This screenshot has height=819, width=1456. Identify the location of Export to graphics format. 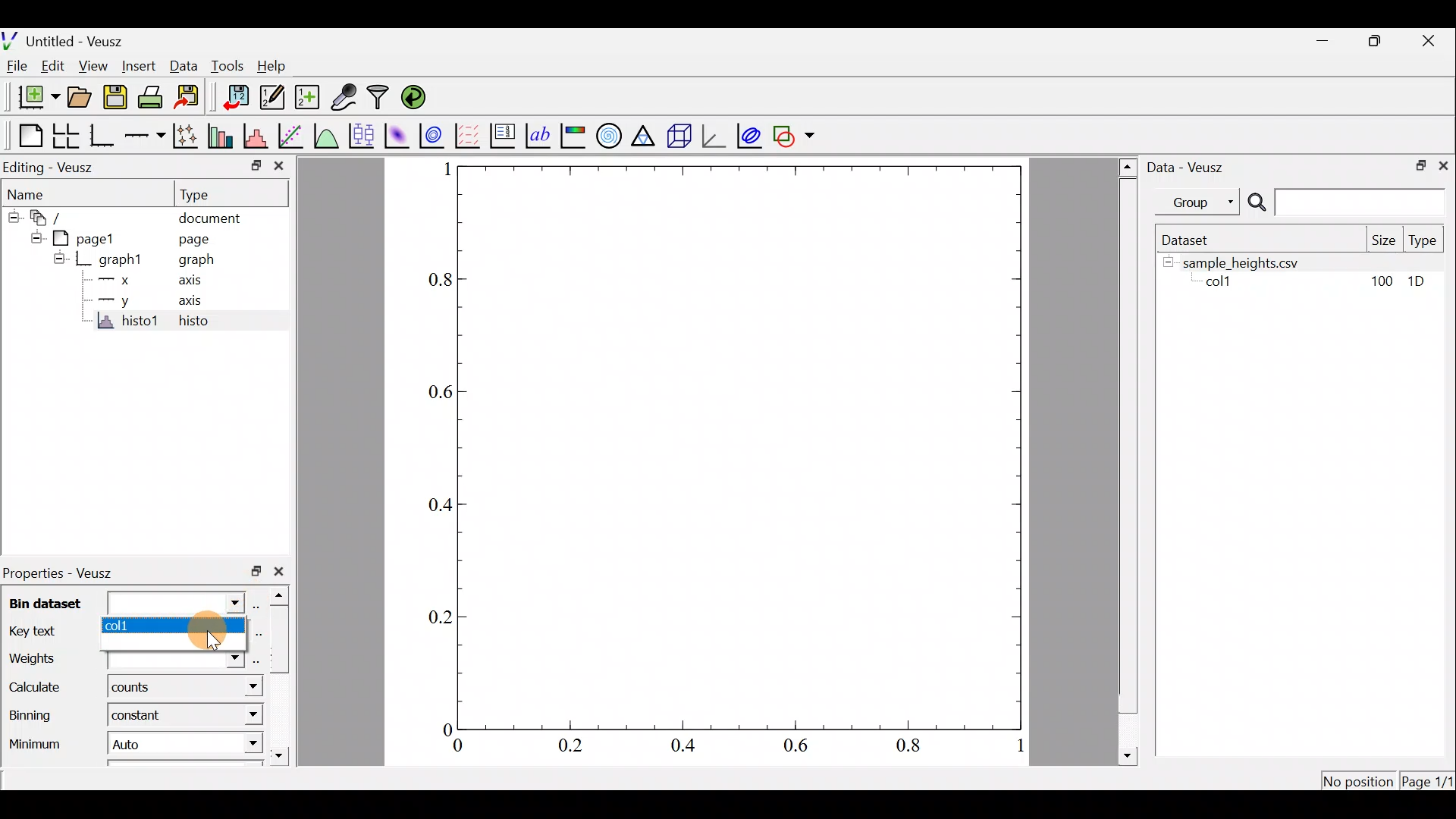
(192, 98).